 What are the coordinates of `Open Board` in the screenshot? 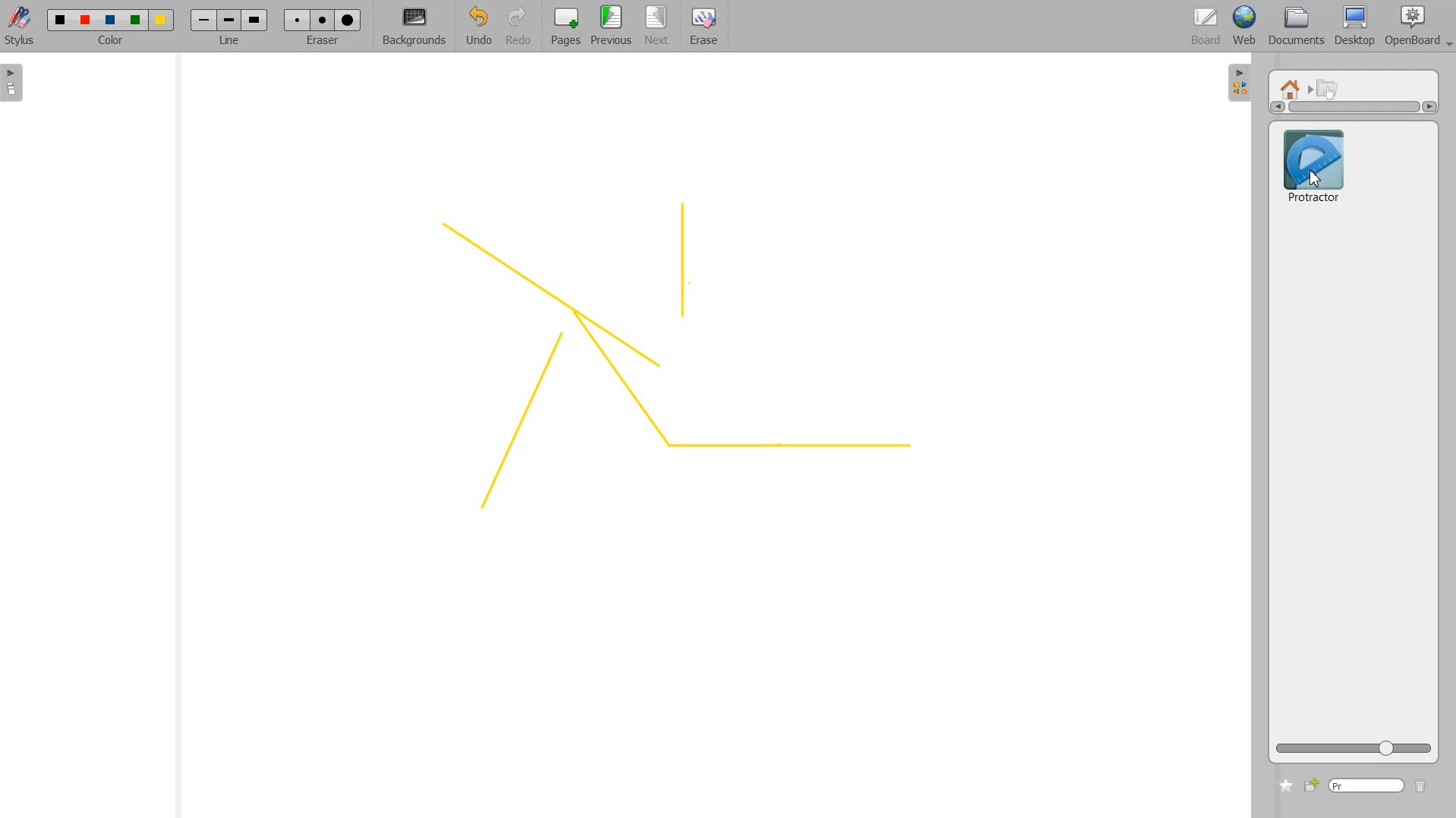 It's located at (1418, 27).